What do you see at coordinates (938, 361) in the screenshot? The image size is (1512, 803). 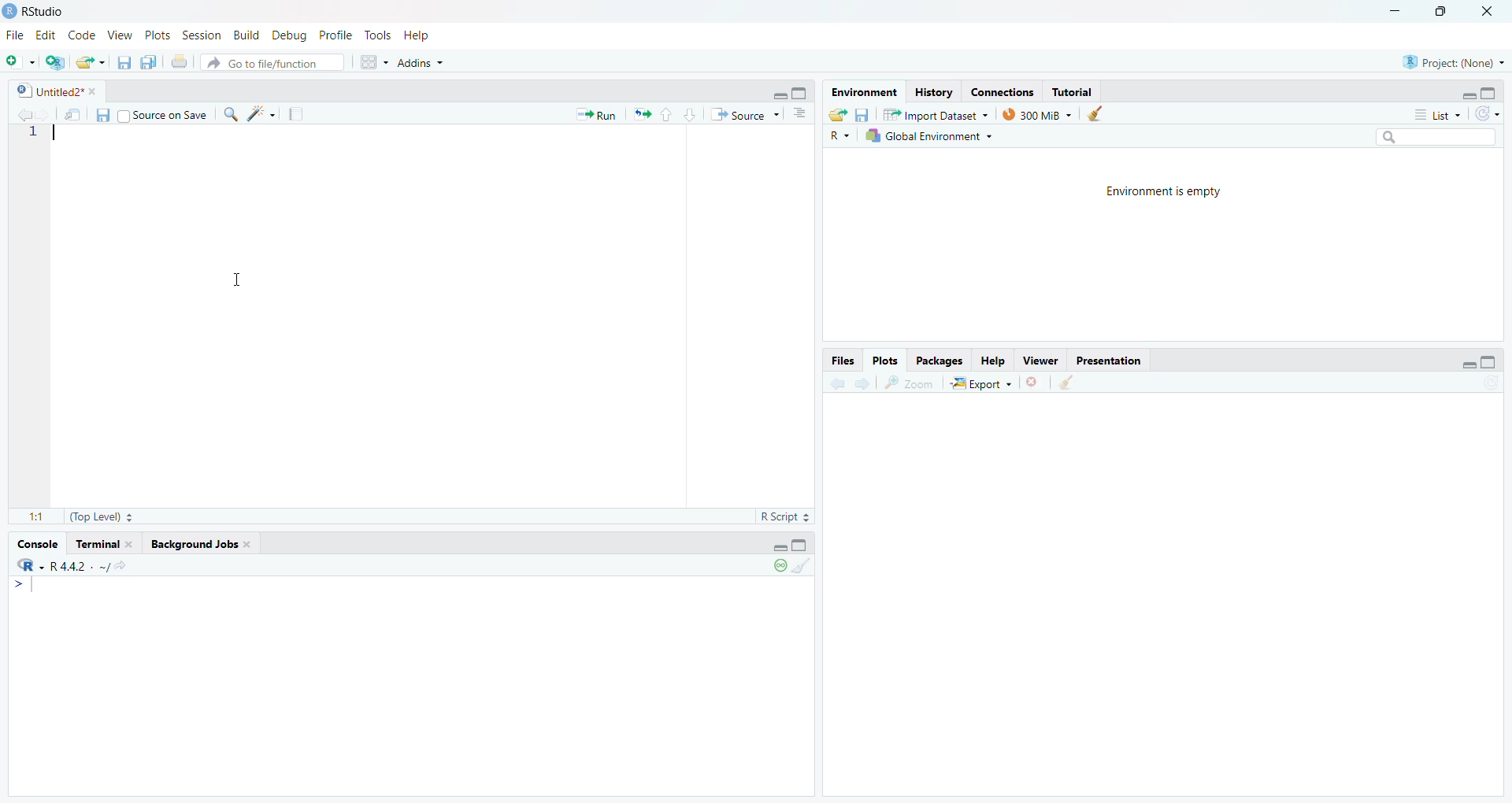 I see `Packages` at bounding box center [938, 361].